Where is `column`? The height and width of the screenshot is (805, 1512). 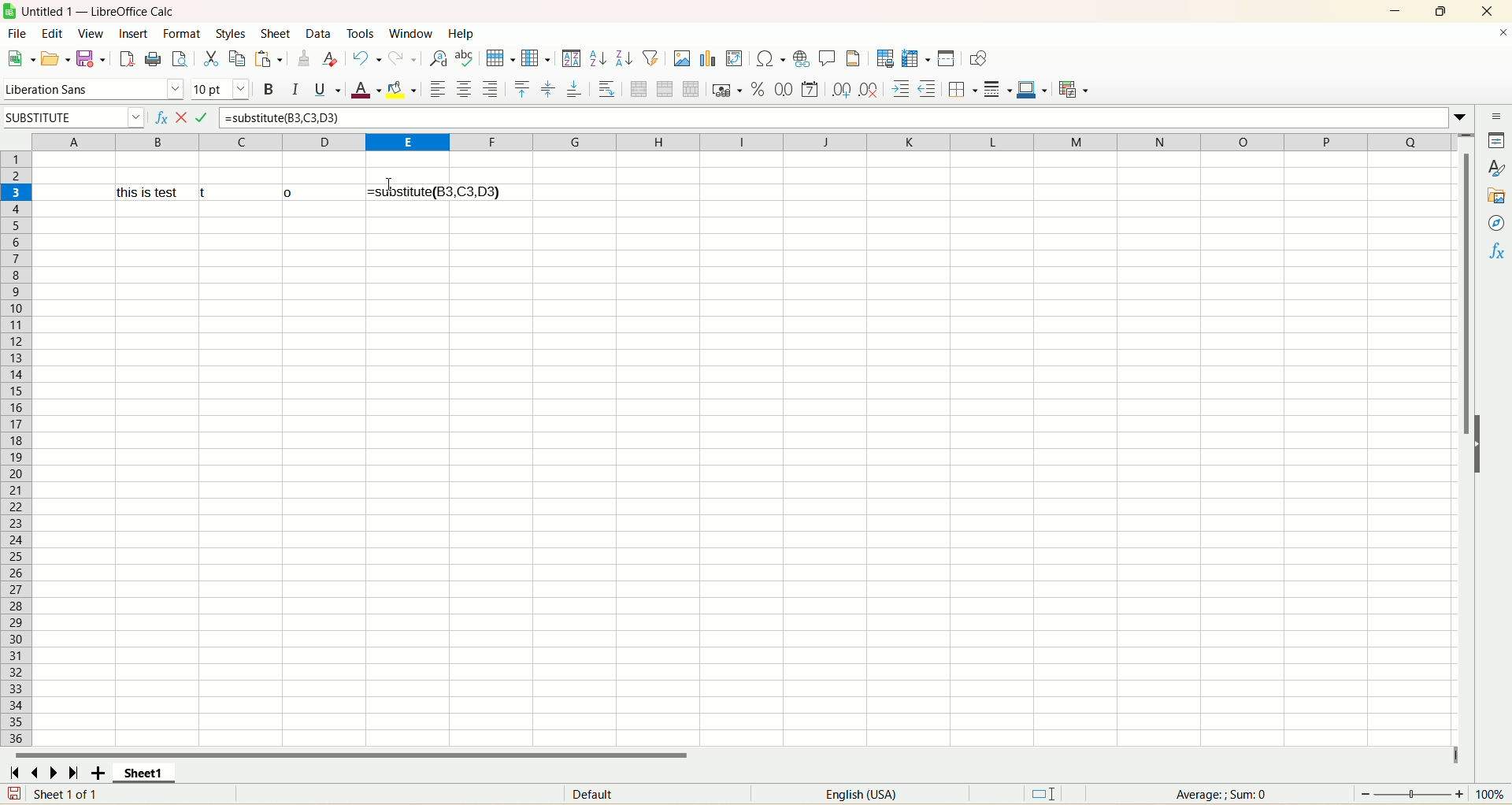 column is located at coordinates (741, 141).